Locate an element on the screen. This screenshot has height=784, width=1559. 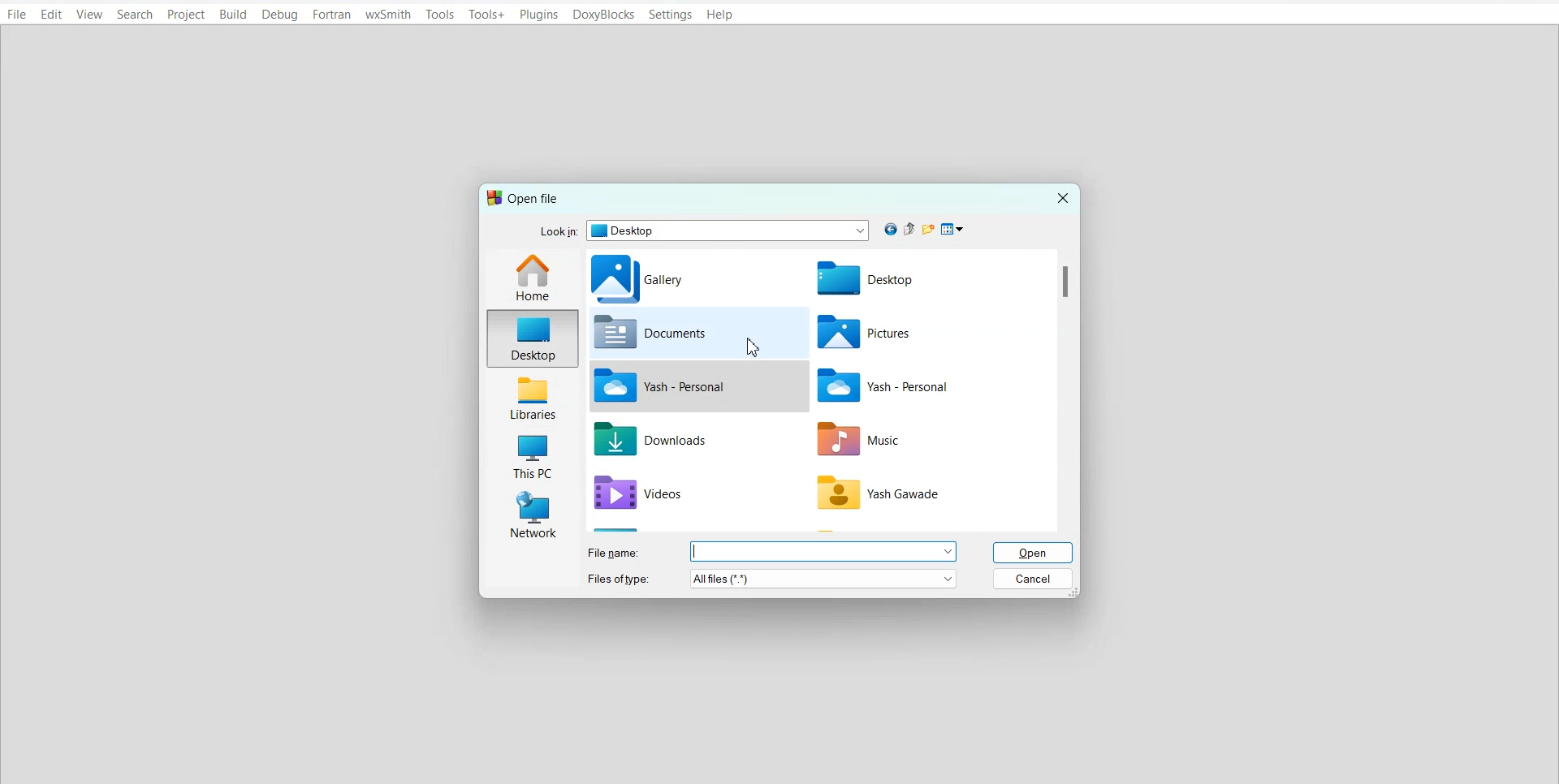
more options is located at coordinates (827, 553).